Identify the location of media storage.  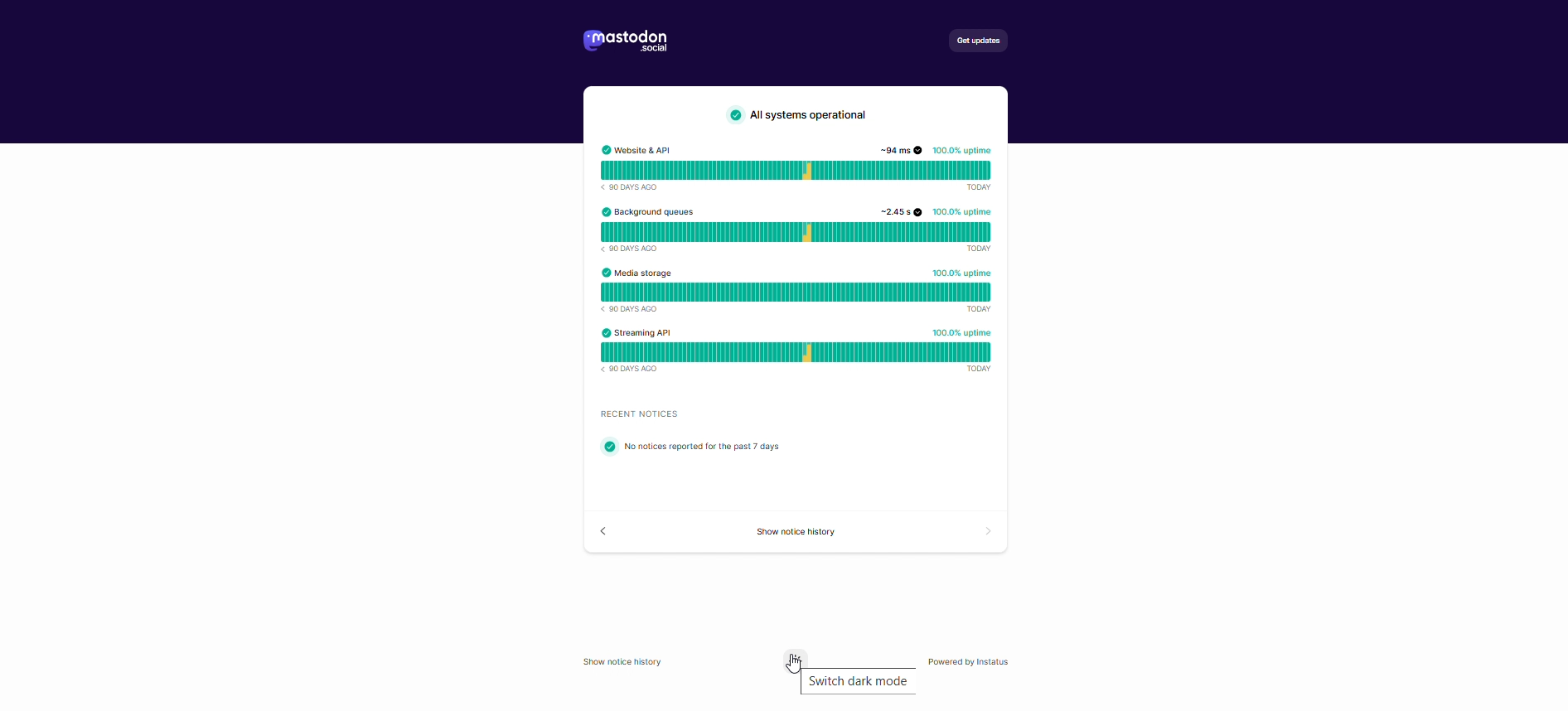
(794, 288).